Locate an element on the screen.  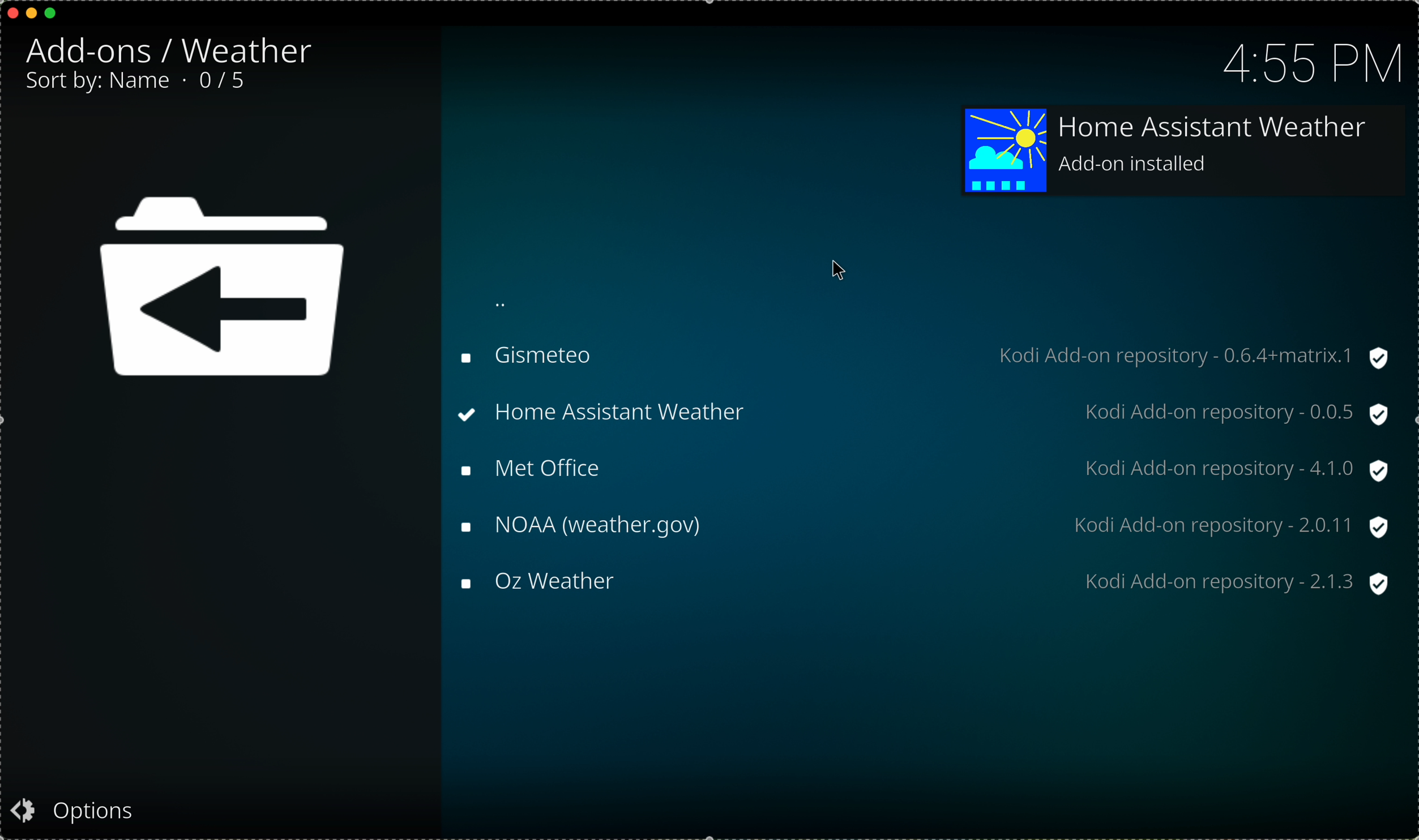
back is located at coordinates (502, 303).